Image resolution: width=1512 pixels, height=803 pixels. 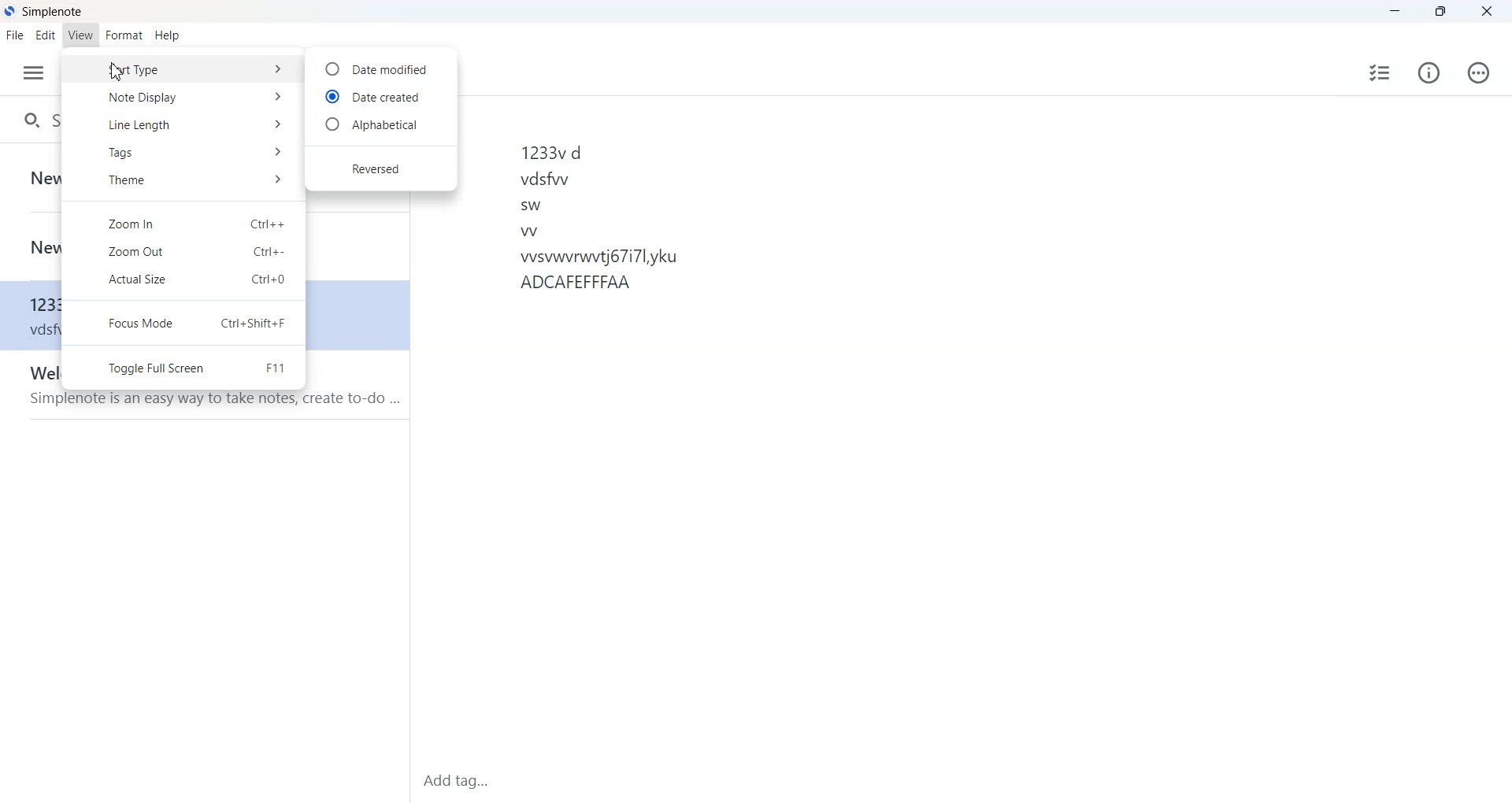 I want to click on Date created, so click(x=380, y=95).